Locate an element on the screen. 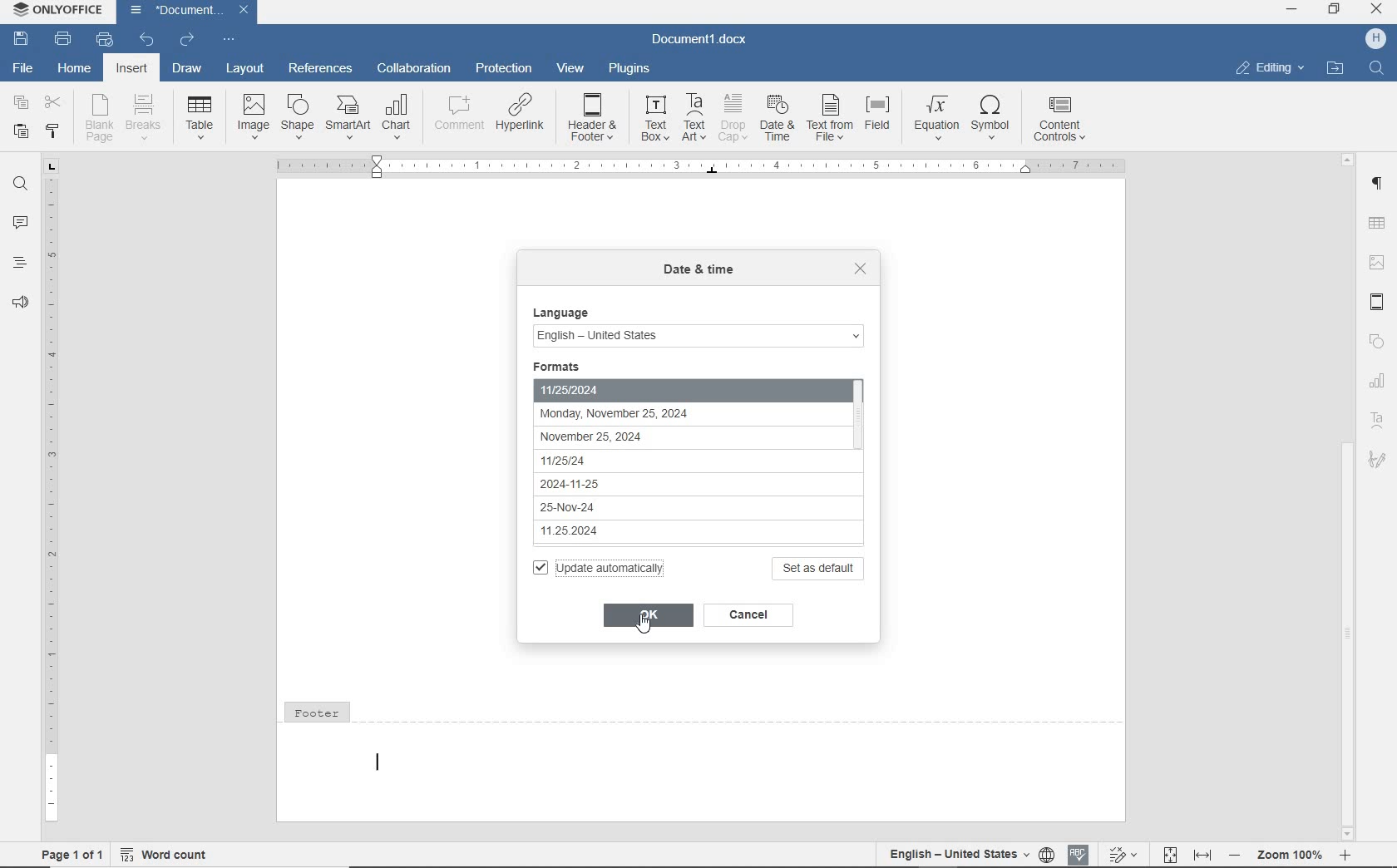  OK is located at coordinates (645, 614).